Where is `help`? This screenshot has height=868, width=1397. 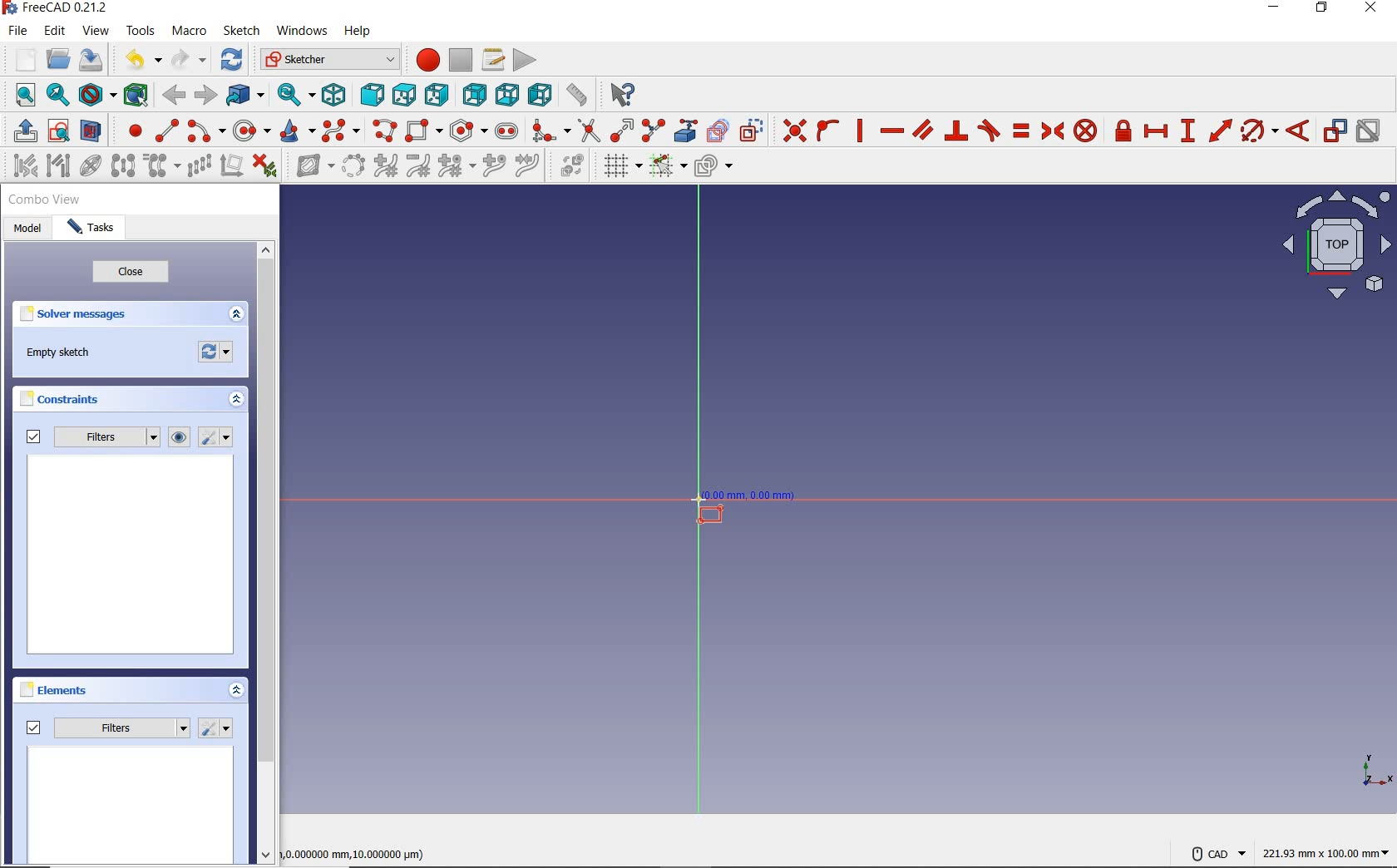
help is located at coordinates (358, 31).